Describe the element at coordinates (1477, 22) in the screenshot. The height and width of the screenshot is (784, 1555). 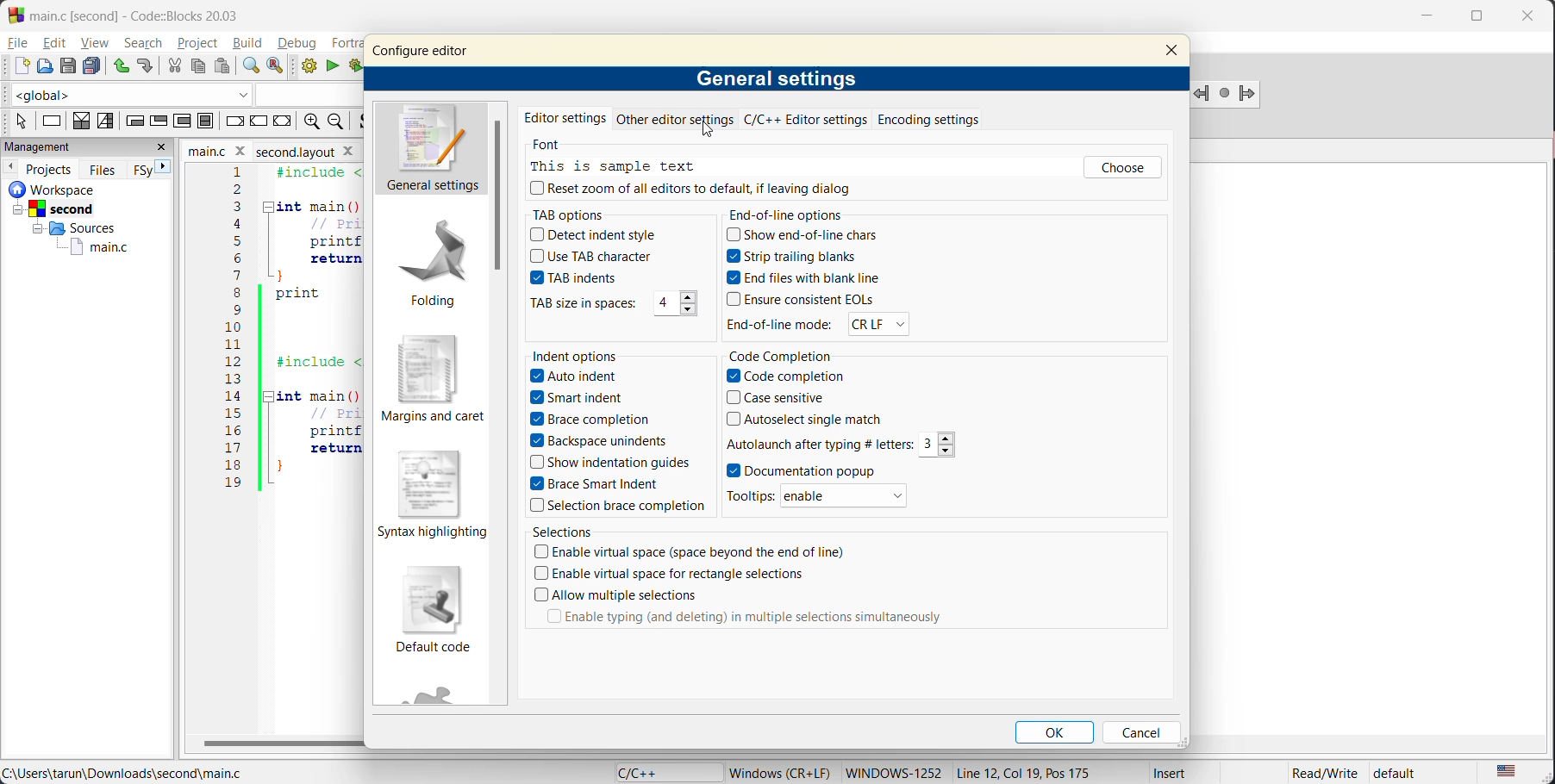
I see `maximize` at that location.